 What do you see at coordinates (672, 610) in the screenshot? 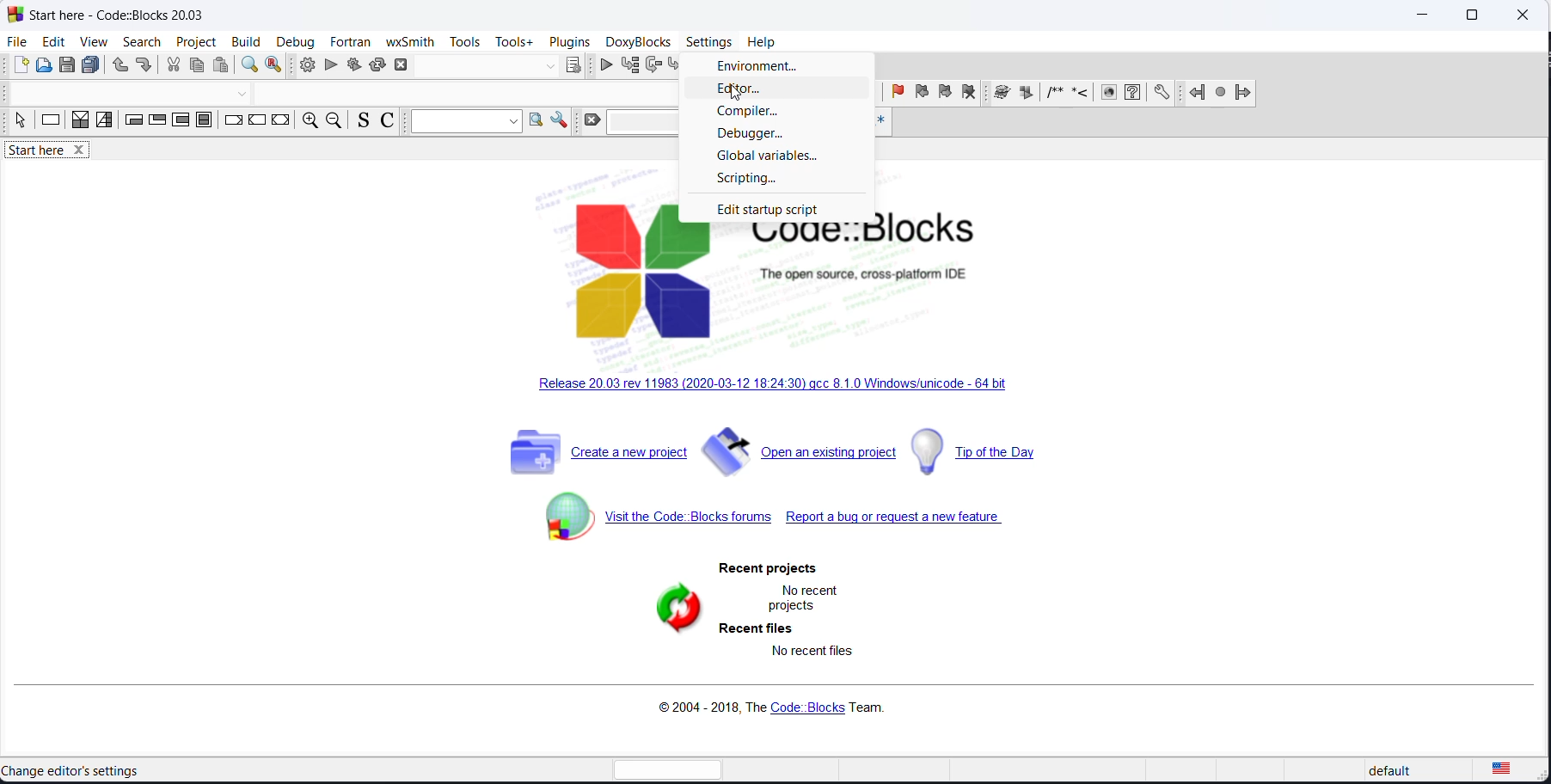
I see `refresh` at bounding box center [672, 610].